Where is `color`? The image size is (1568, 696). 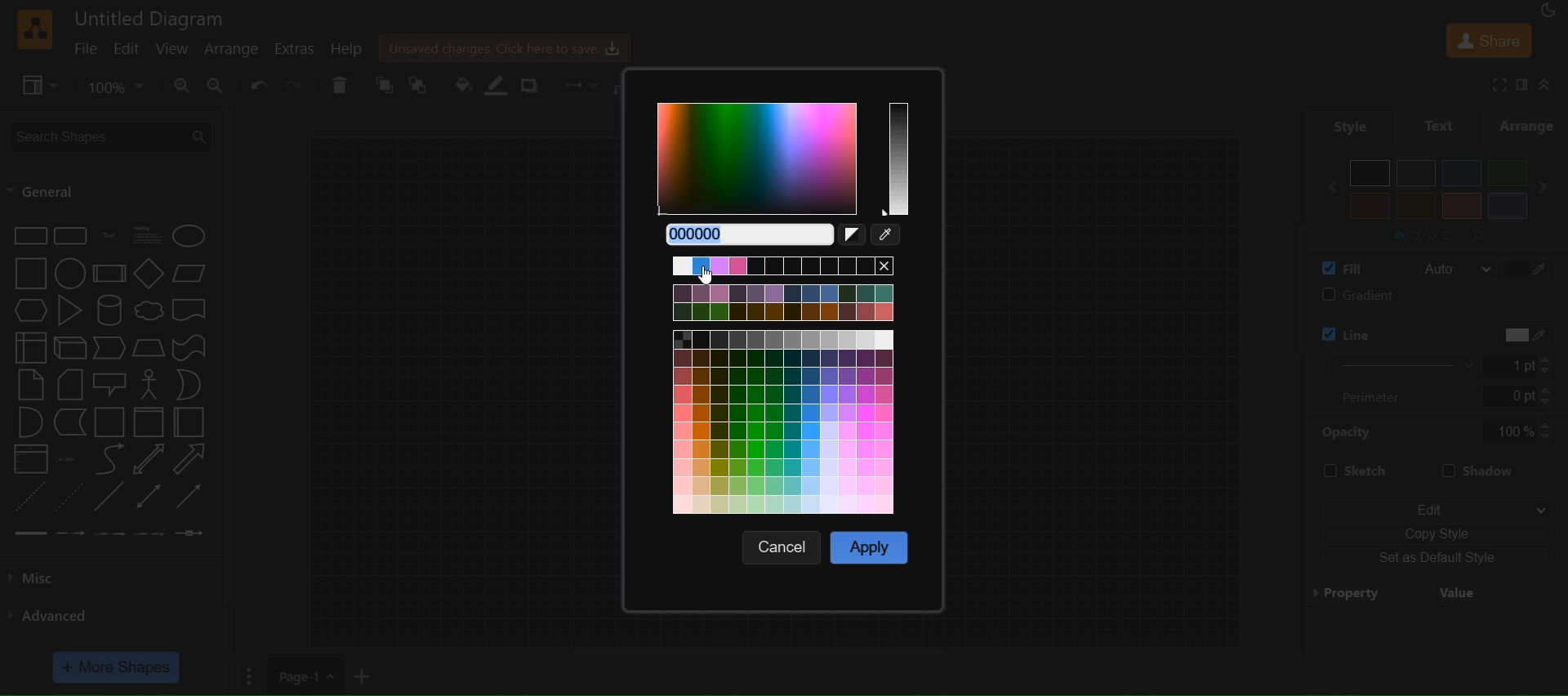
color is located at coordinates (1517, 334).